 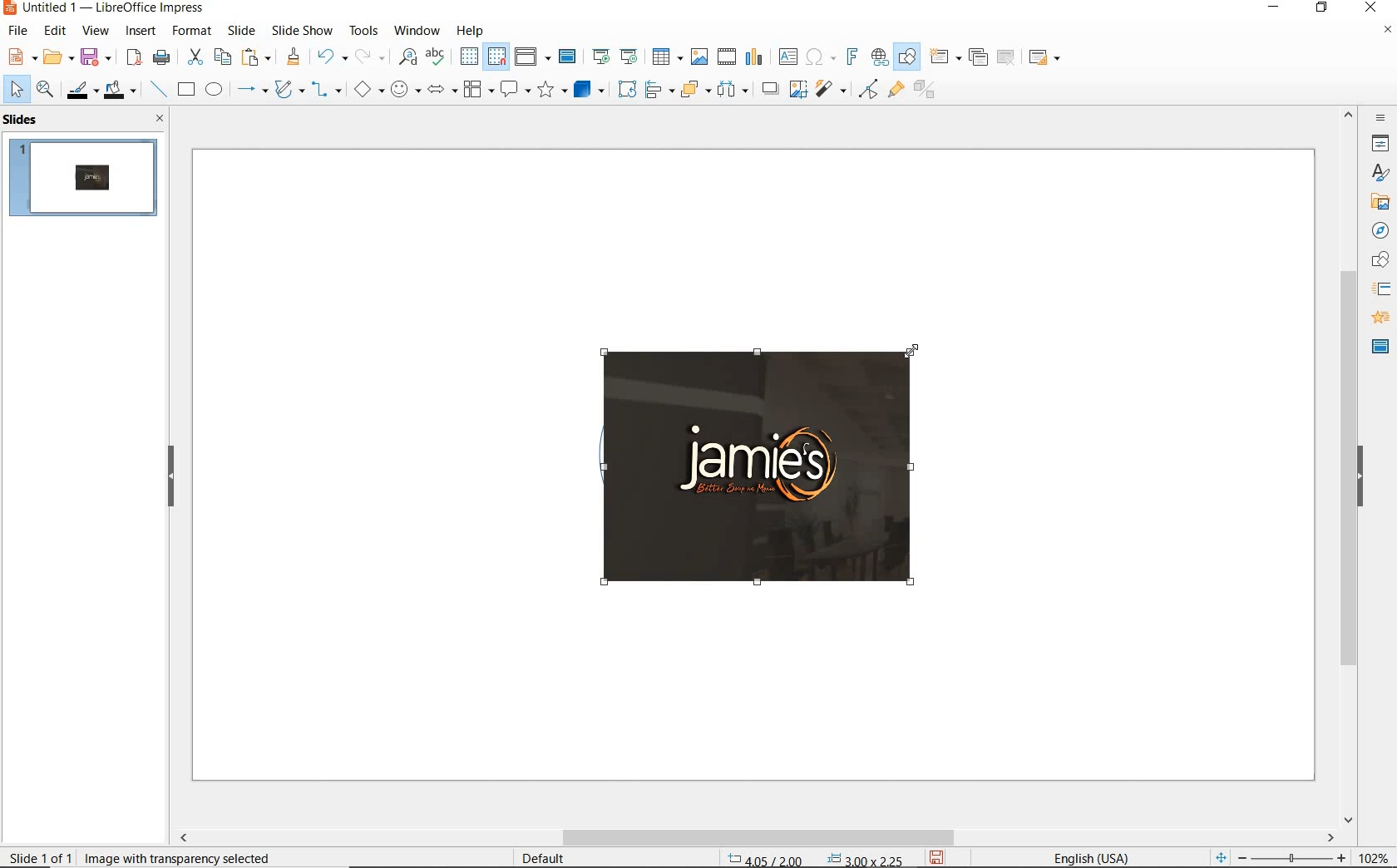 I want to click on slide, so click(x=241, y=31).